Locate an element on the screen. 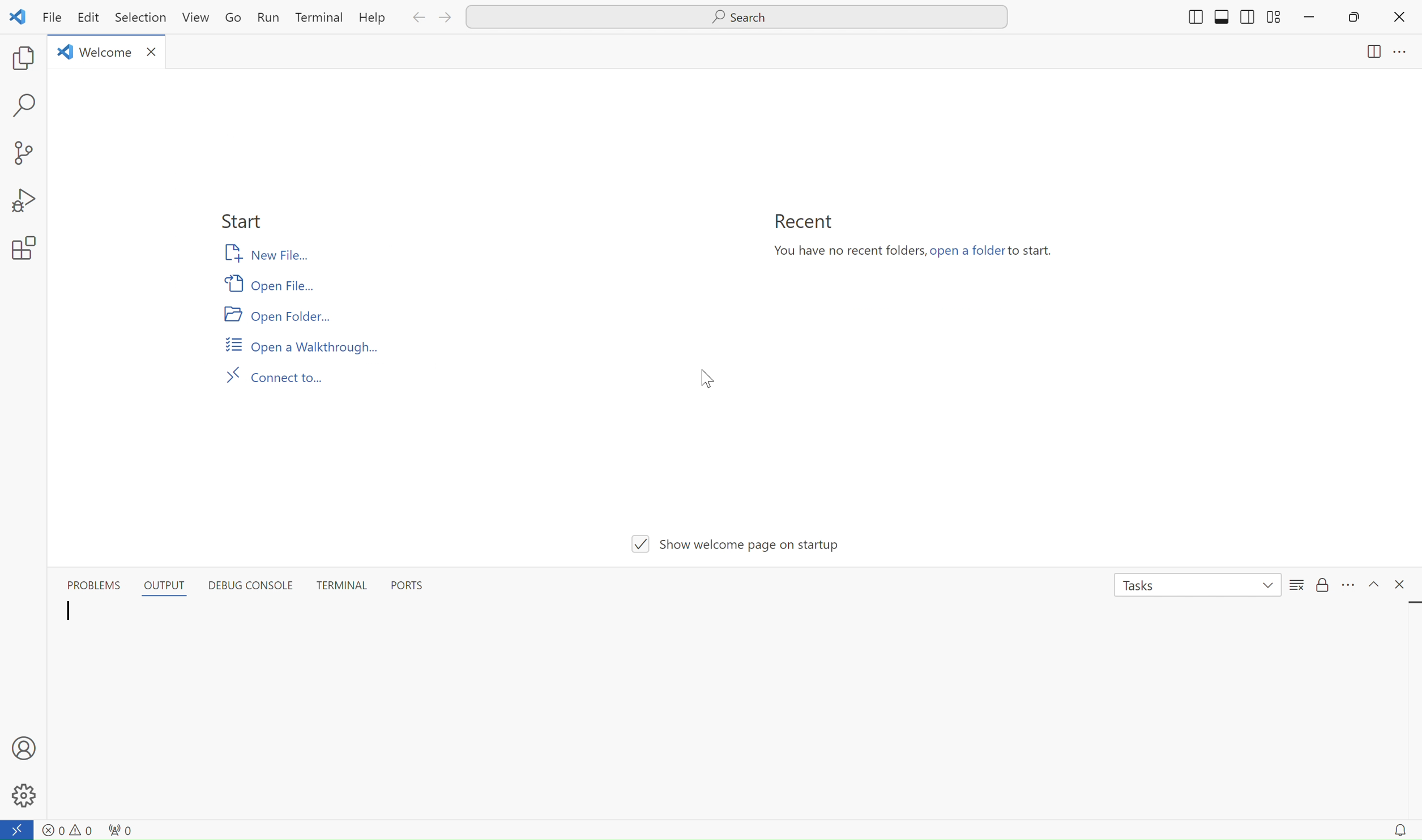 The height and width of the screenshot is (840, 1422).  is located at coordinates (171, 581).